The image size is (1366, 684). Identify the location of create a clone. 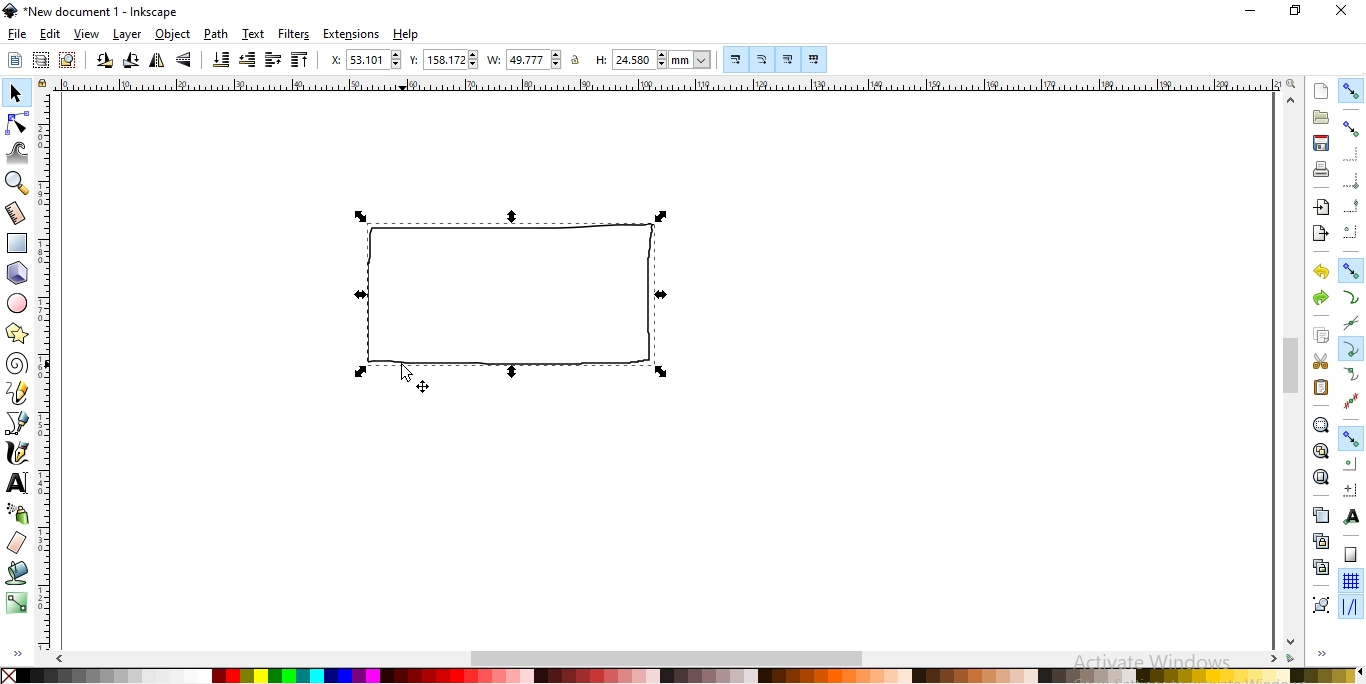
(1319, 541).